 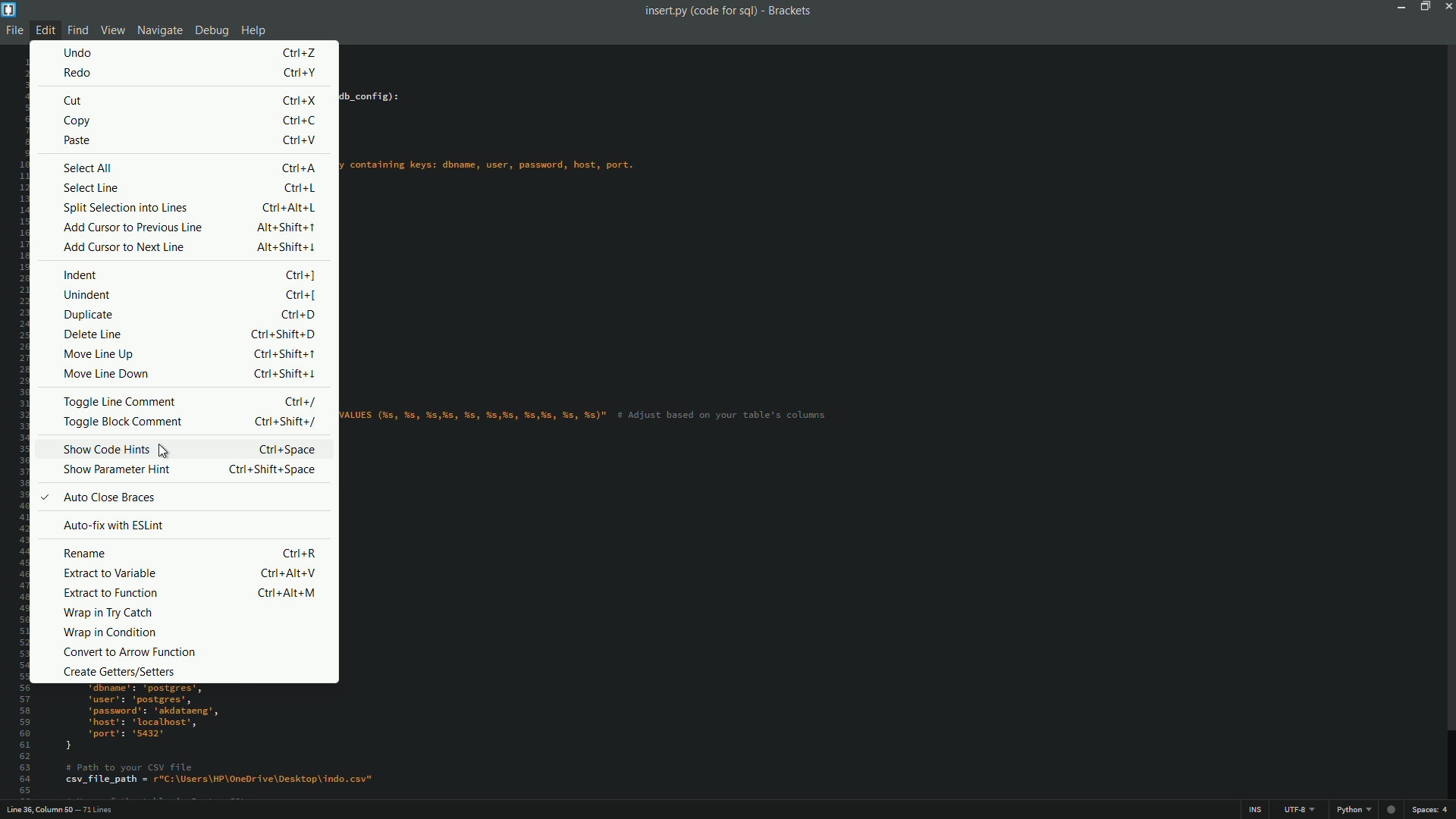 What do you see at coordinates (287, 206) in the screenshot?
I see `keyboard shortcut` at bounding box center [287, 206].